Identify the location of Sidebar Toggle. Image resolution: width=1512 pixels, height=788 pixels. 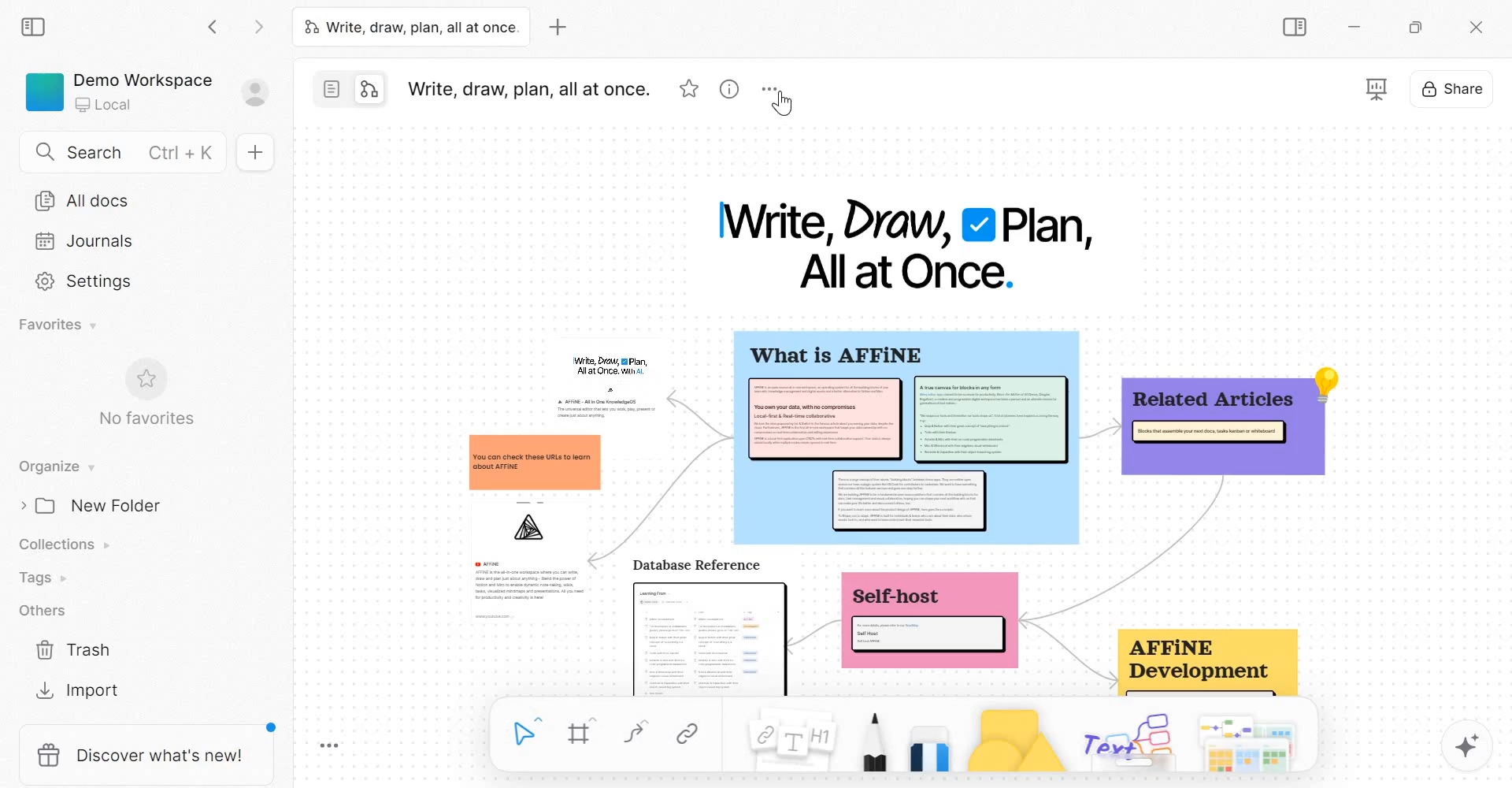
(1295, 28).